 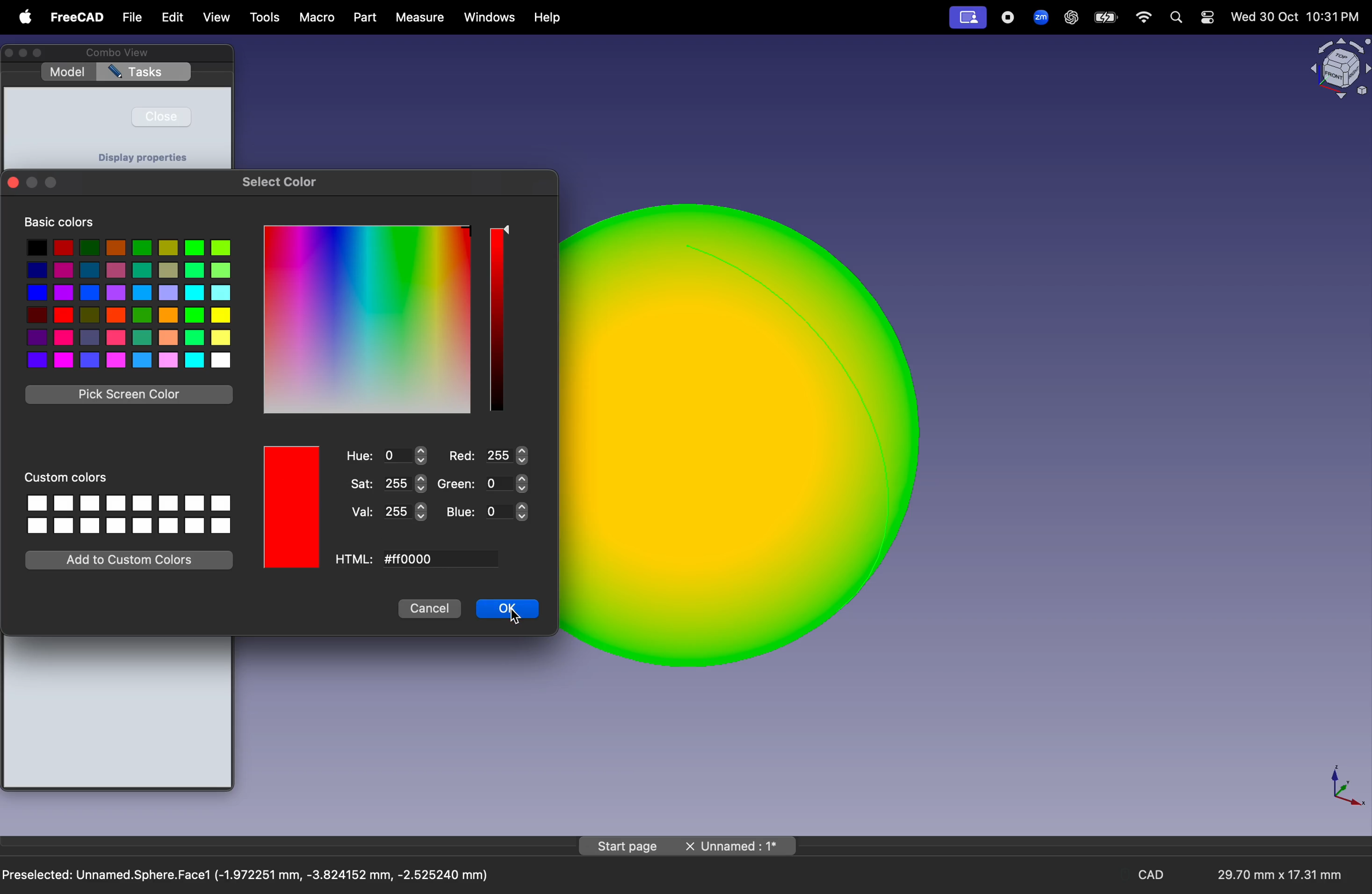 What do you see at coordinates (490, 17) in the screenshot?
I see `windows` at bounding box center [490, 17].